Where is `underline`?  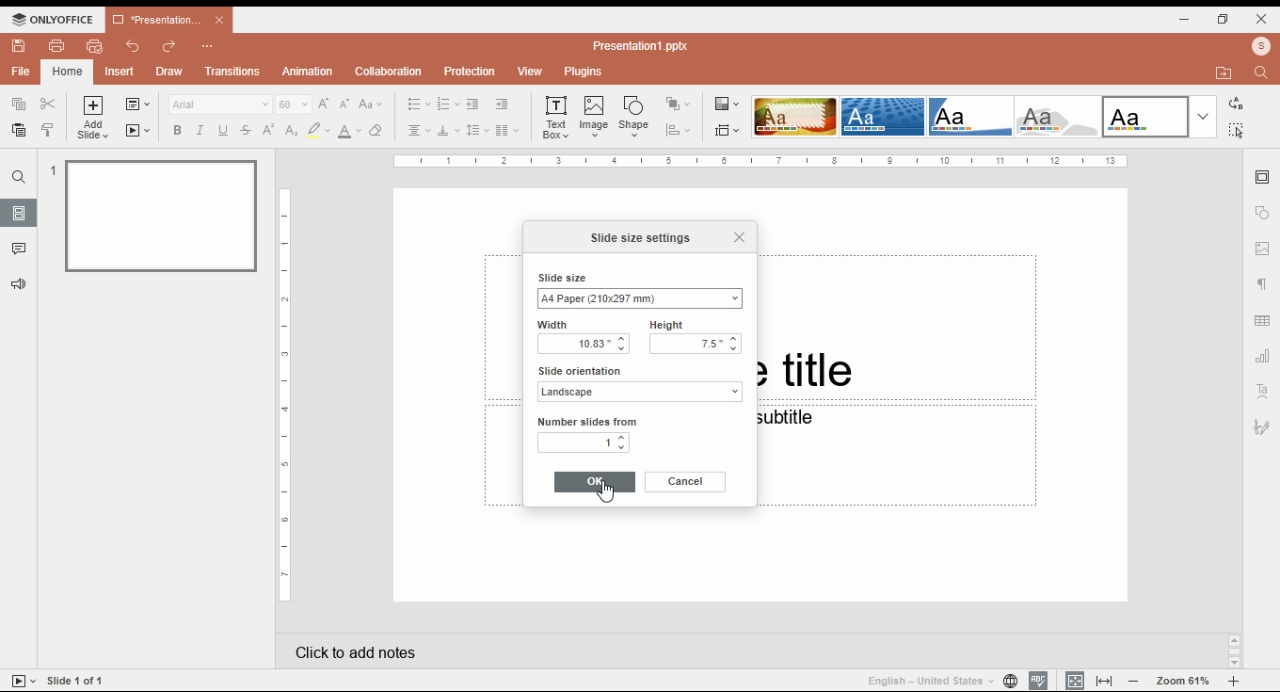
underline is located at coordinates (222, 130).